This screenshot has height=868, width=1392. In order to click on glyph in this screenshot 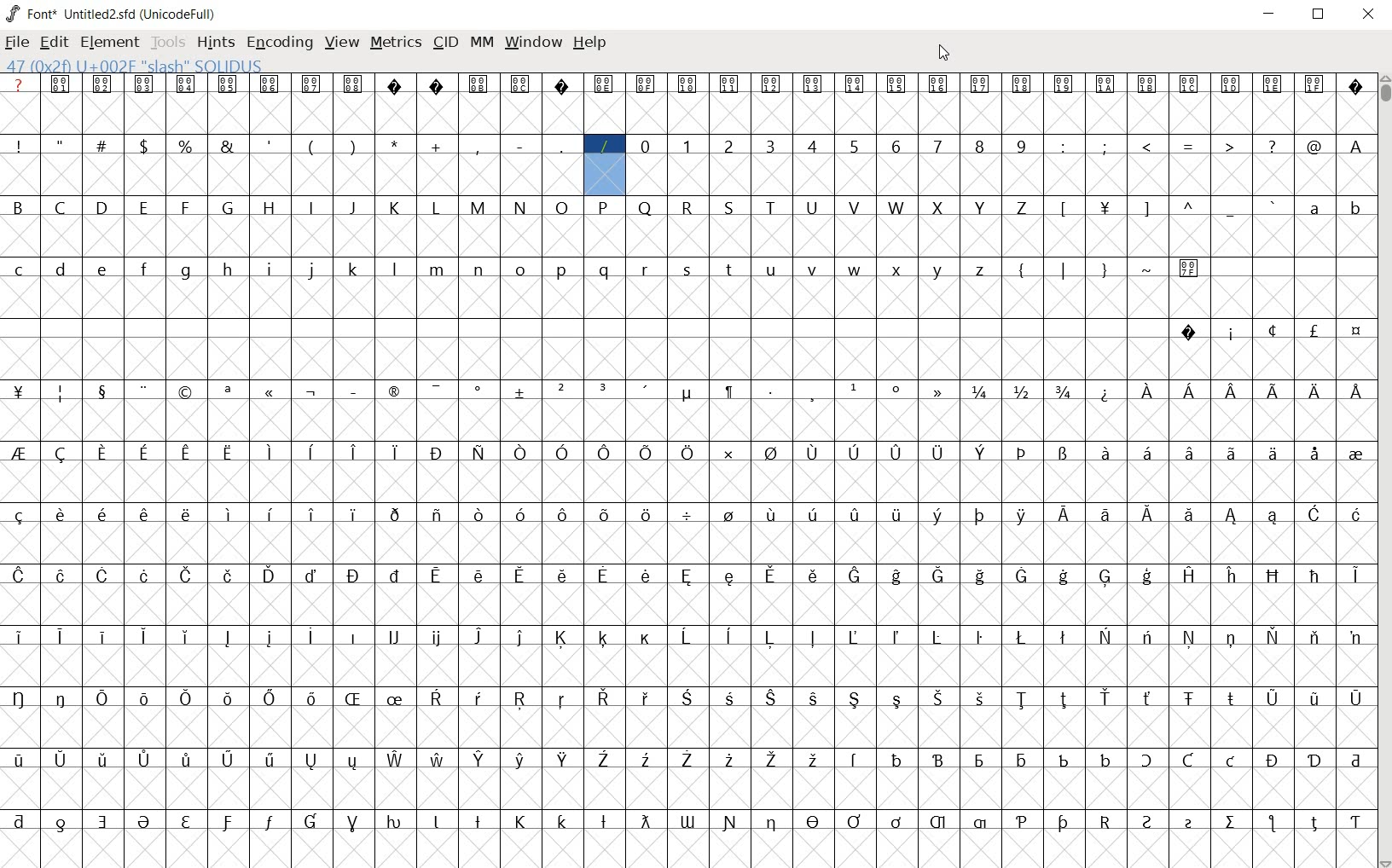, I will do `click(101, 144)`.